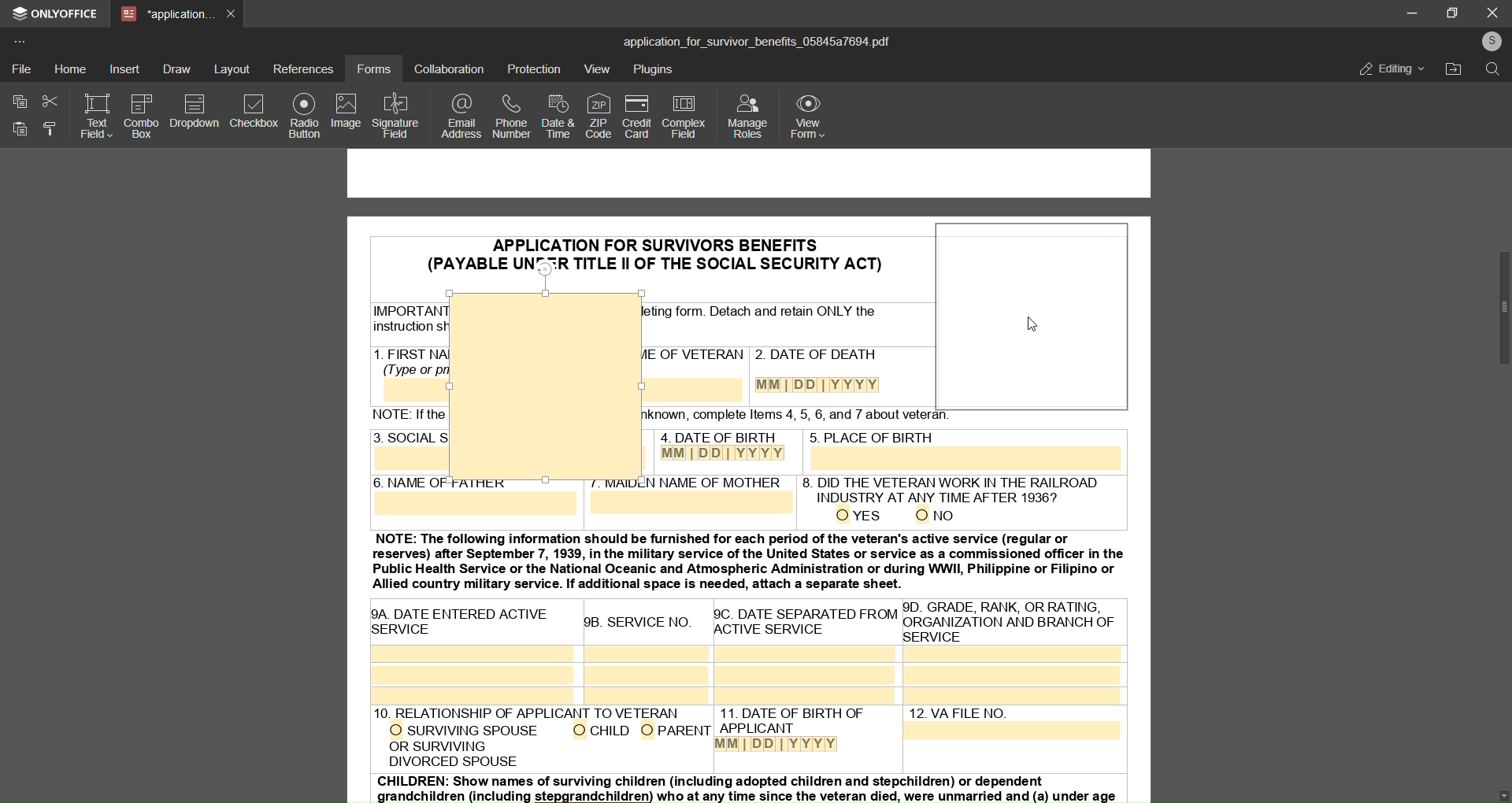 The image size is (1512, 803). What do you see at coordinates (1407, 13) in the screenshot?
I see `minimize` at bounding box center [1407, 13].